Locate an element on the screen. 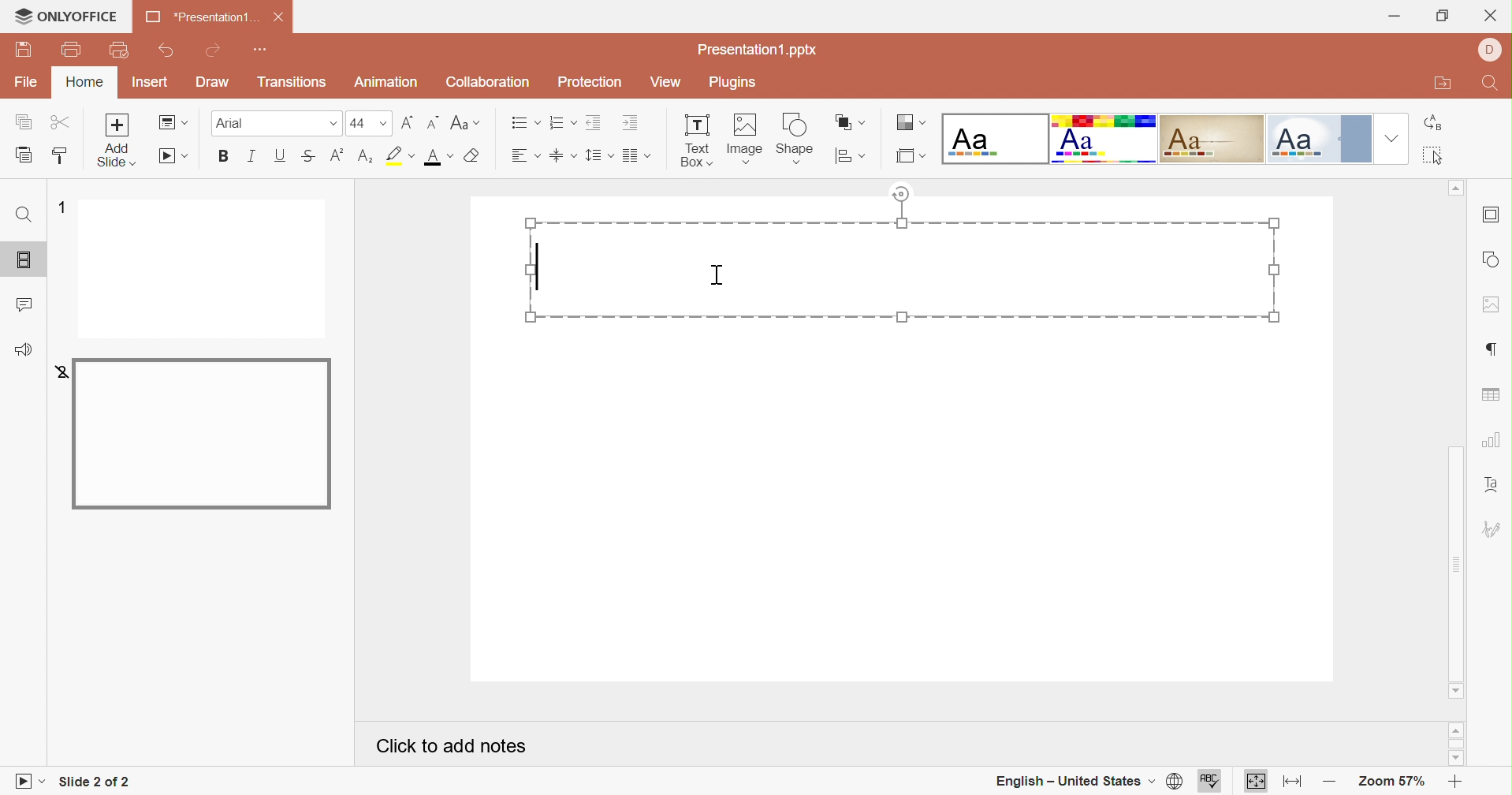  Scroll bar is located at coordinates (1455, 562).